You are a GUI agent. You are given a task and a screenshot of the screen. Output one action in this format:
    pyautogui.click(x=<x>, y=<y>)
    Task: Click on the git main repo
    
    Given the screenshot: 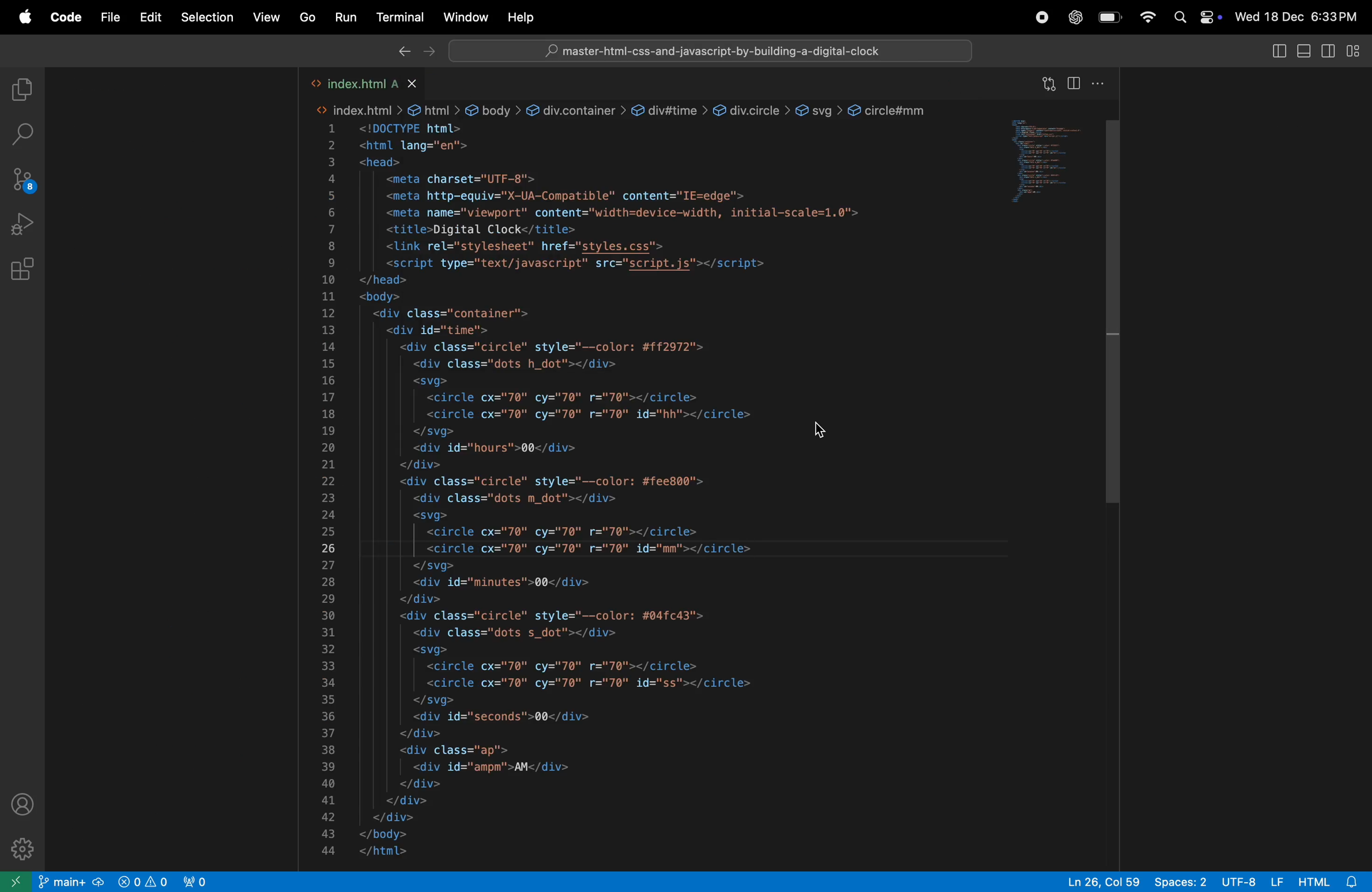 What is the action you would take?
    pyautogui.click(x=72, y=882)
    